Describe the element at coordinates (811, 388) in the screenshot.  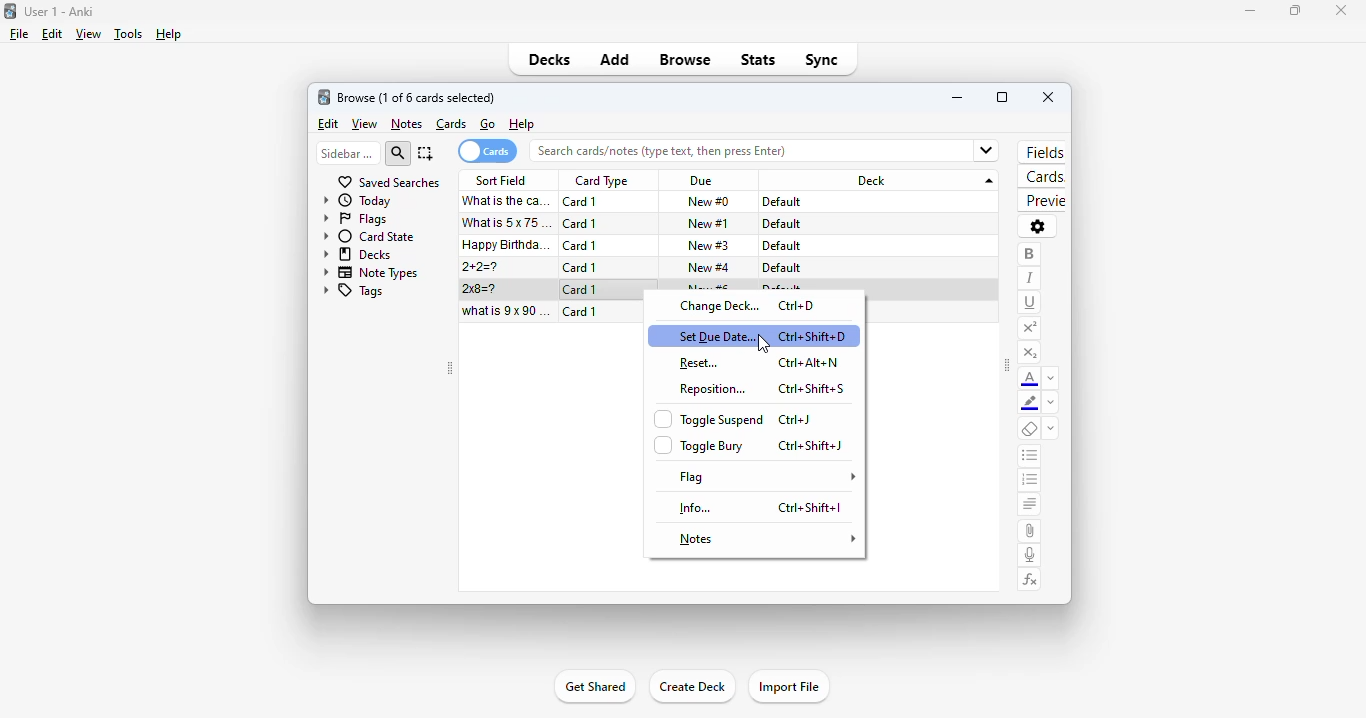
I see `Ctrl+Shift+S` at that location.